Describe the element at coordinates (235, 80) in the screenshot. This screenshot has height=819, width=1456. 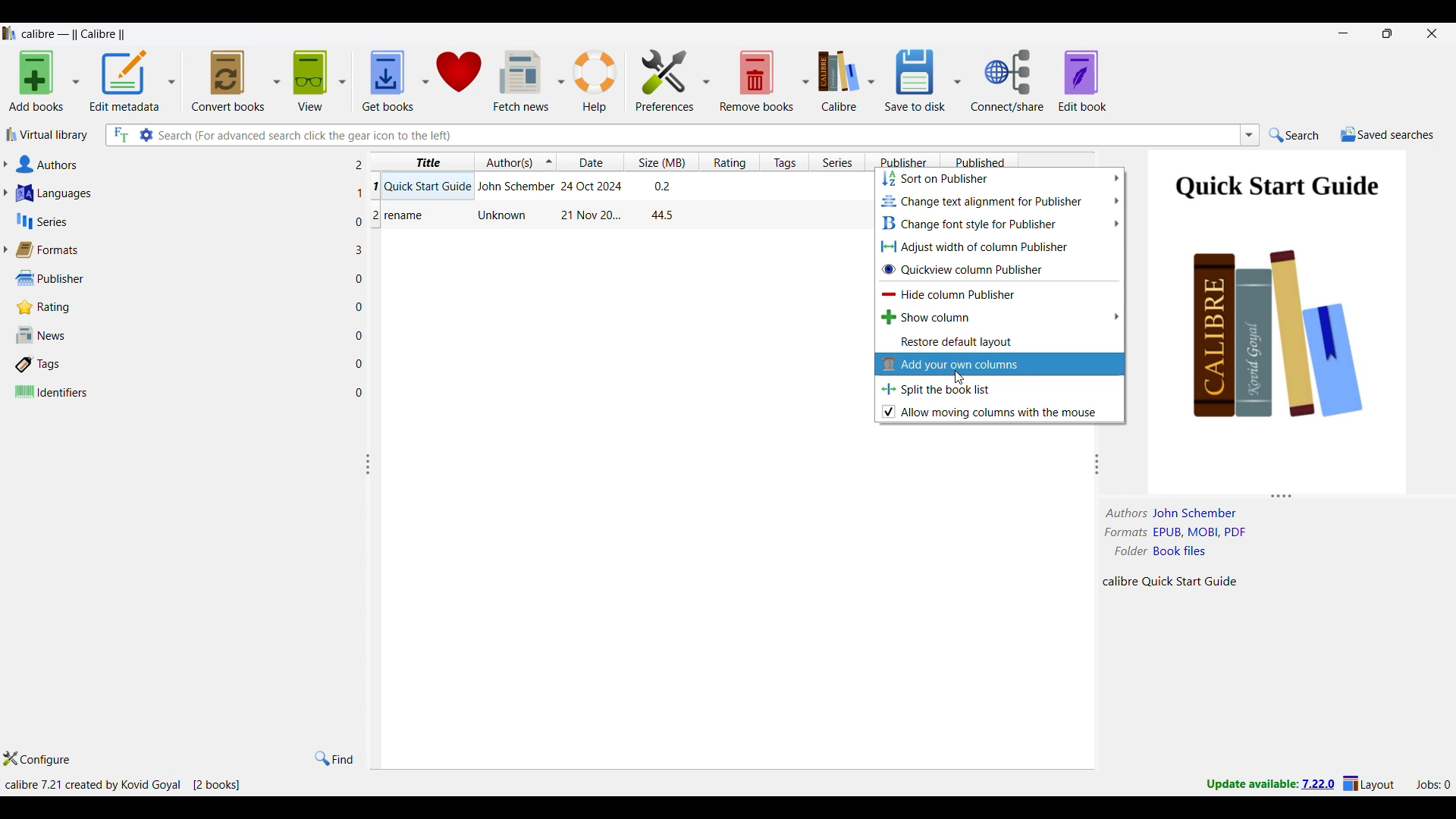
I see `Convert books options` at that location.